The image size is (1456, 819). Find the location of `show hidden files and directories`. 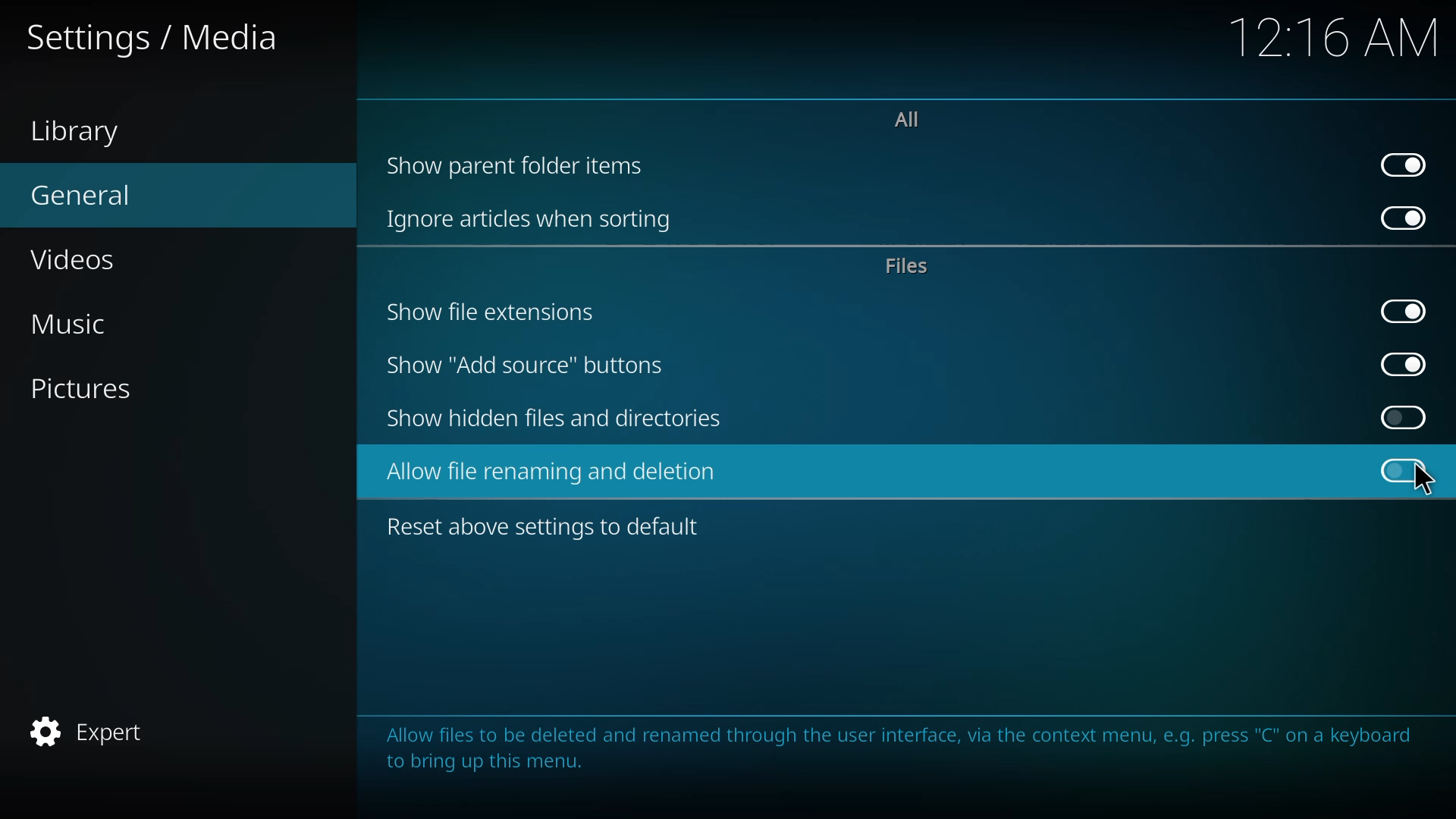

show hidden files and directories is located at coordinates (557, 418).